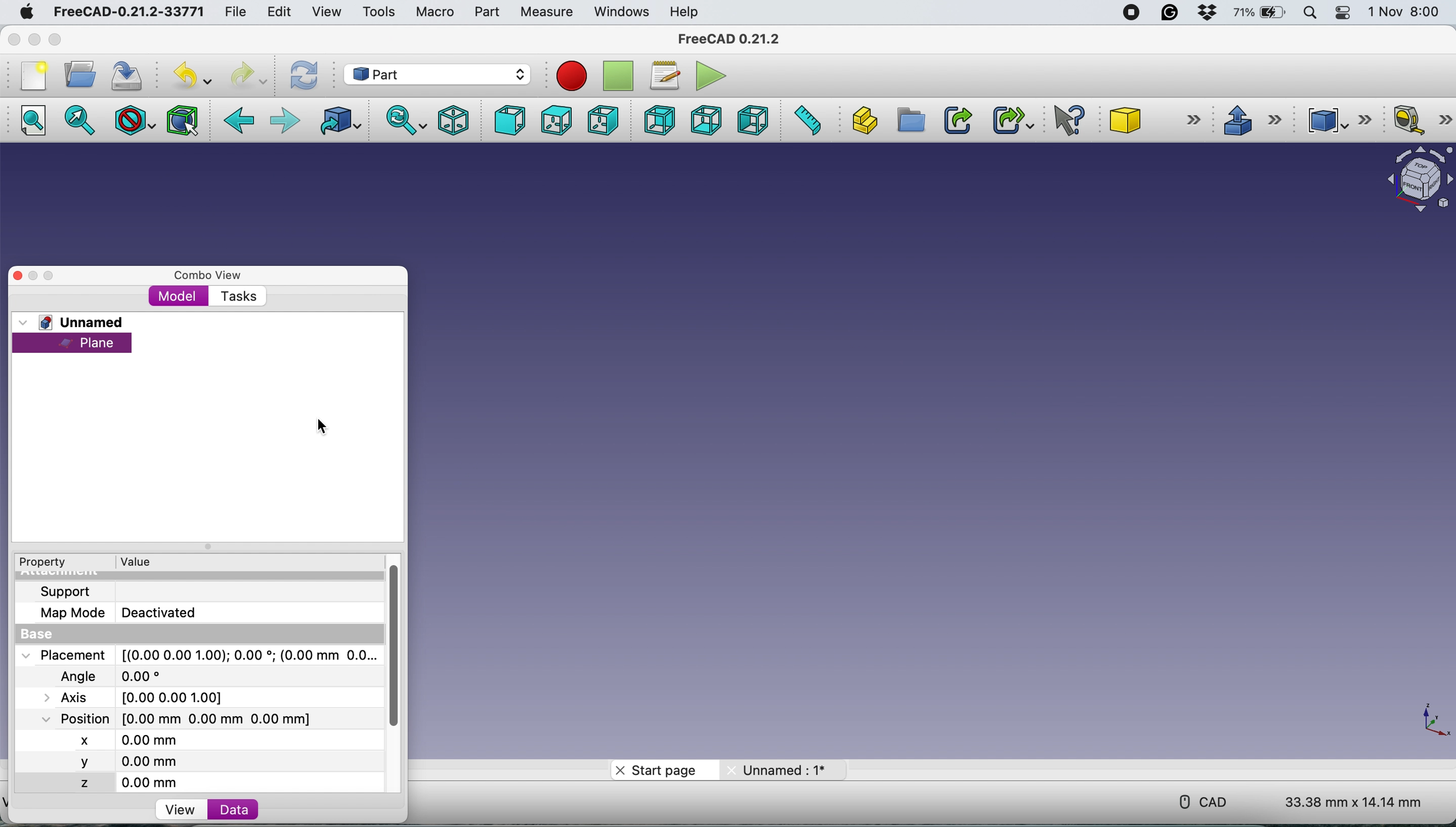 The width and height of the screenshot is (1456, 827). What do you see at coordinates (182, 120) in the screenshot?
I see `bounding box` at bounding box center [182, 120].